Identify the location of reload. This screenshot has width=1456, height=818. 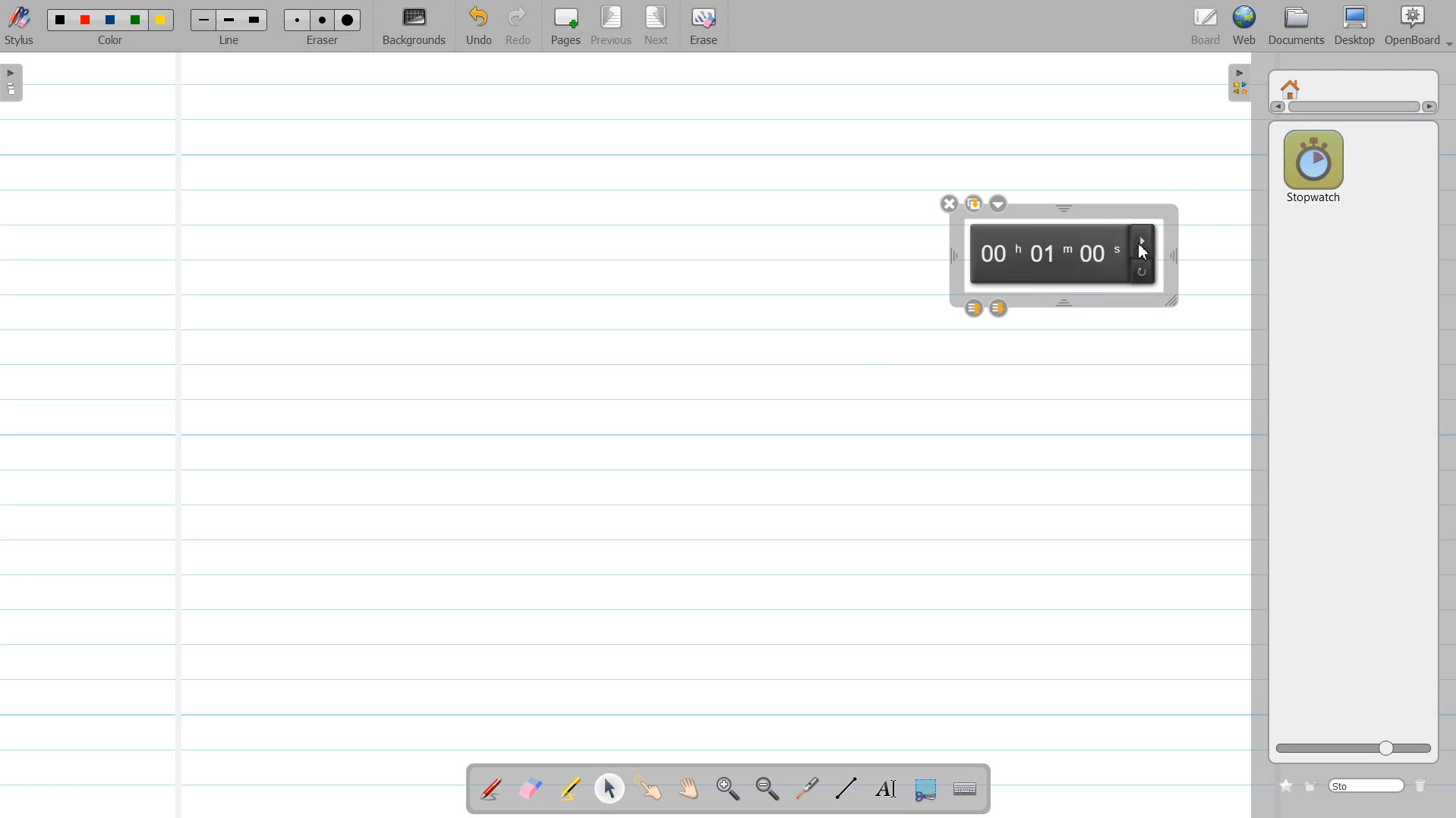
(1143, 271).